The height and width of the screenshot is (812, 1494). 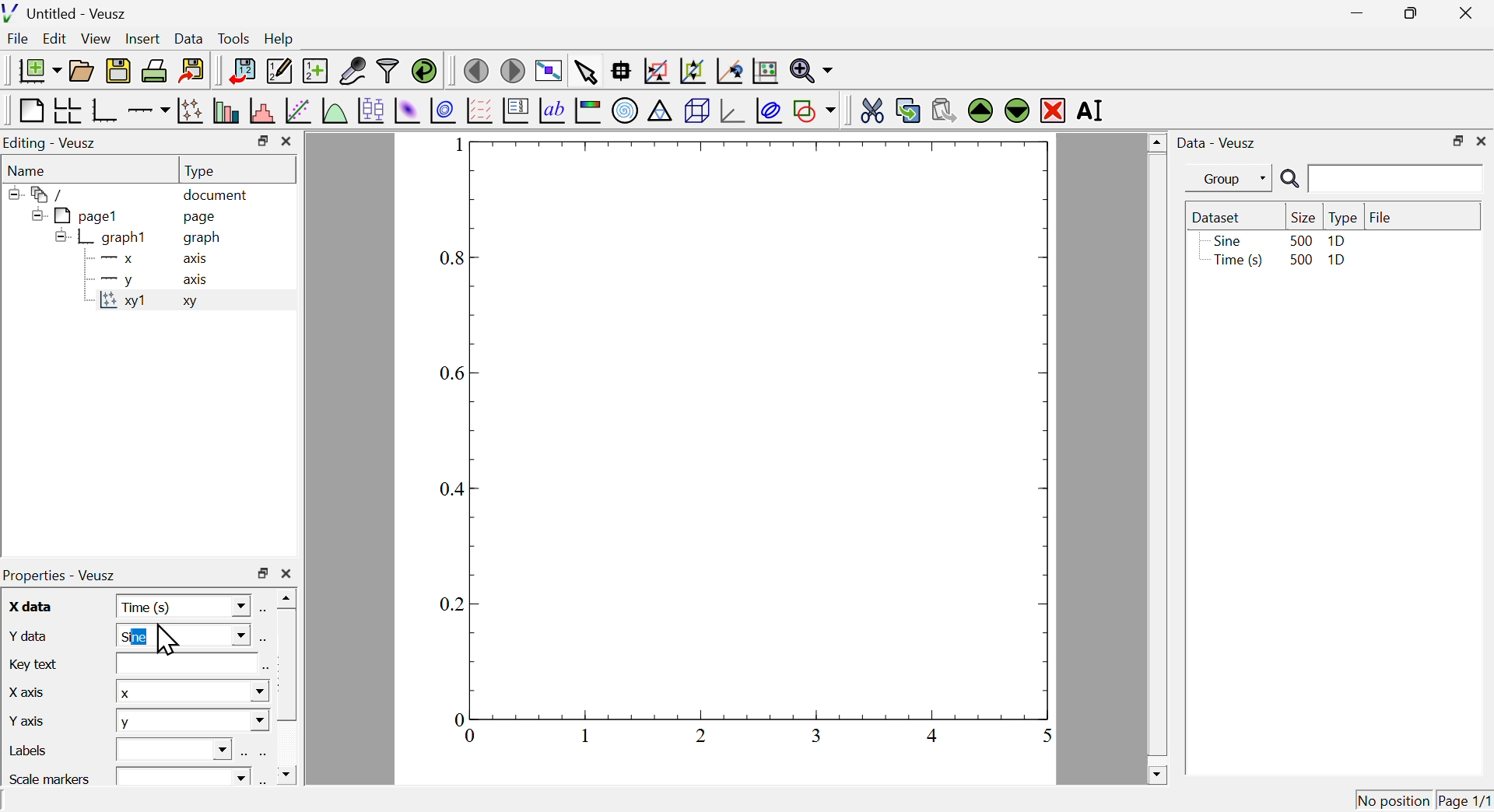 What do you see at coordinates (451, 145) in the screenshot?
I see `1` at bounding box center [451, 145].